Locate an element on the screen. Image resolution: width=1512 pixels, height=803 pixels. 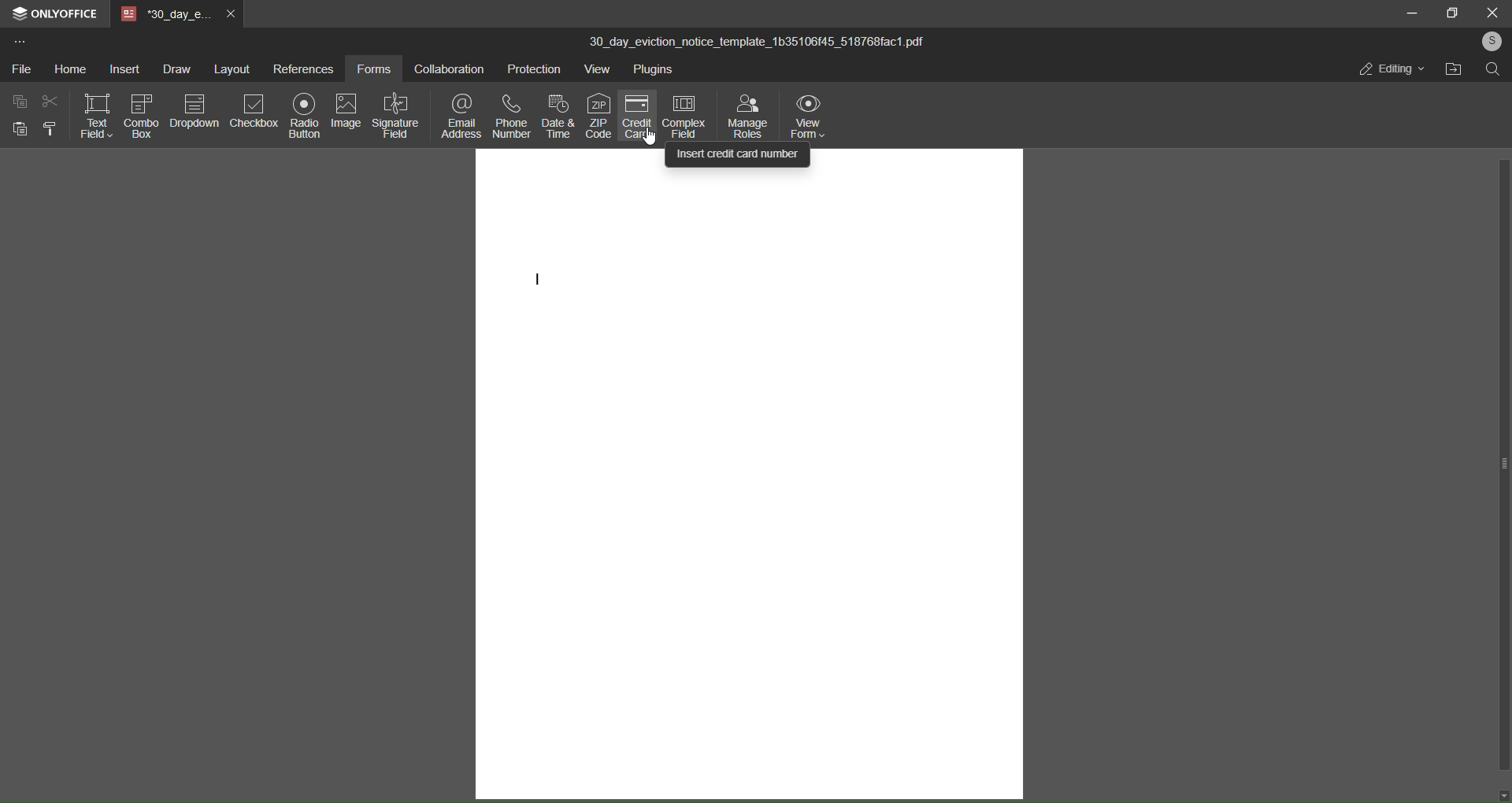
open file location is located at coordinates (1453, 72).